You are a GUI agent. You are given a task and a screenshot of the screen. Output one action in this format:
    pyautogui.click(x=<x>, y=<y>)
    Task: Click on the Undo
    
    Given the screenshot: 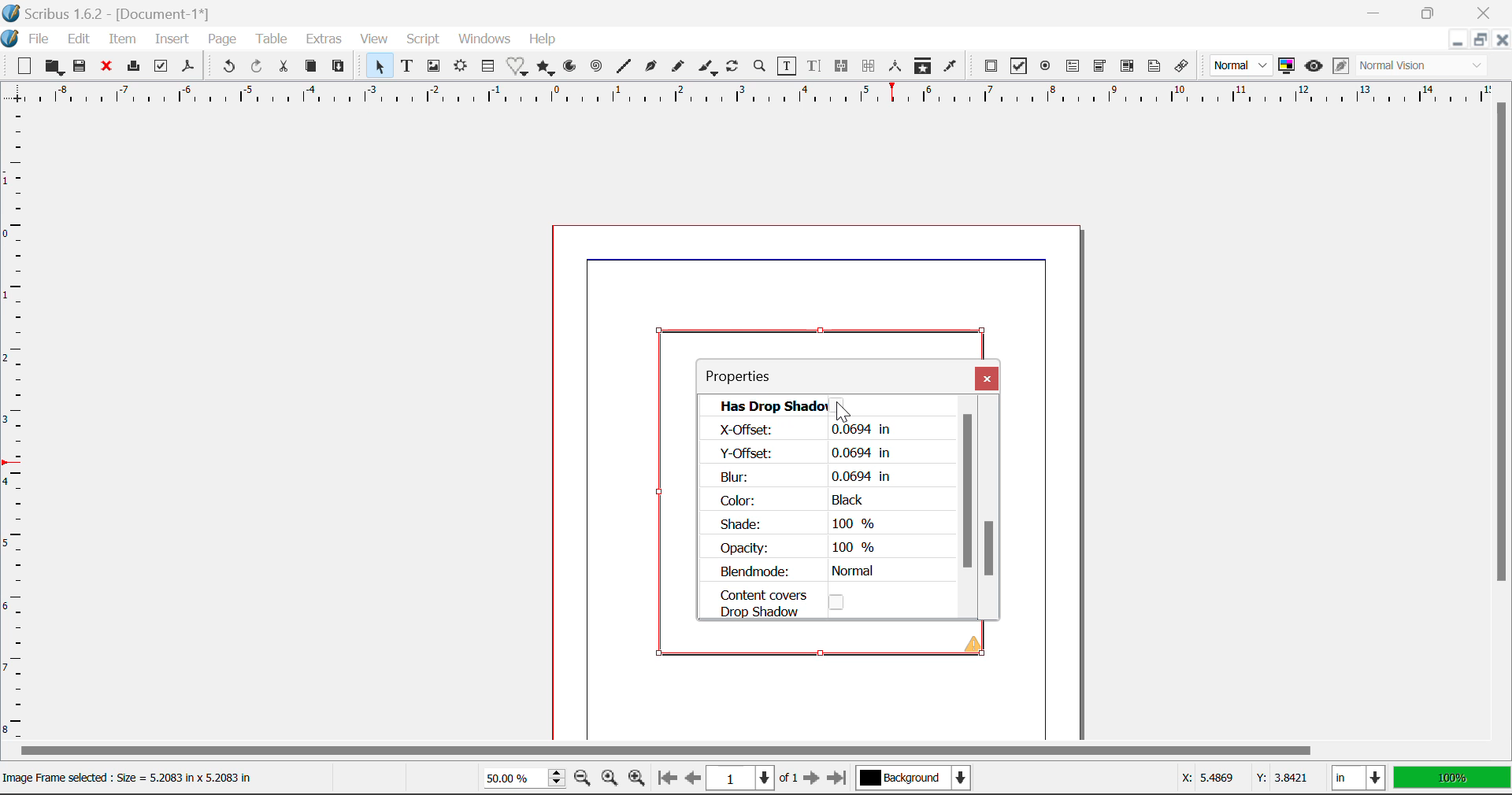 What is the action you would take?
    pyautogui.click(x=226, y=66)
    